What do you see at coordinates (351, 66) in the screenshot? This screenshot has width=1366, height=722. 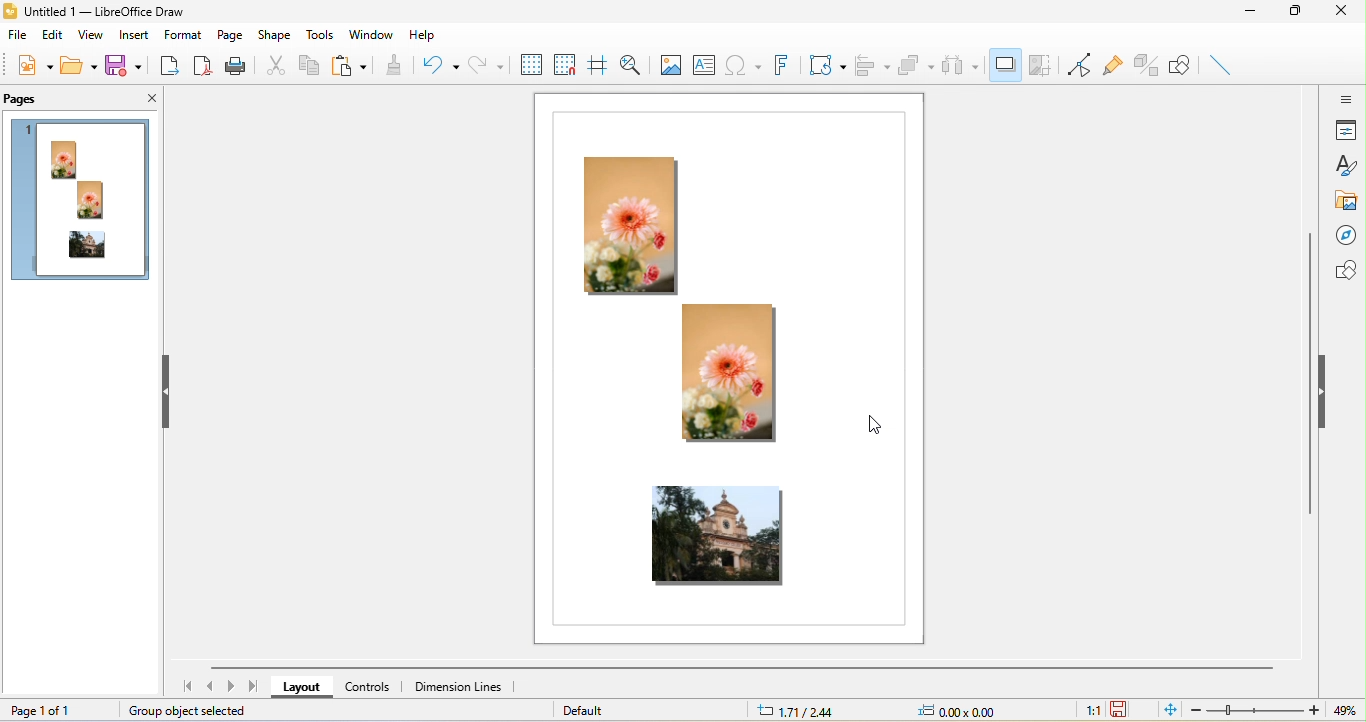 I see `paste` at bounding box center [351, 66].